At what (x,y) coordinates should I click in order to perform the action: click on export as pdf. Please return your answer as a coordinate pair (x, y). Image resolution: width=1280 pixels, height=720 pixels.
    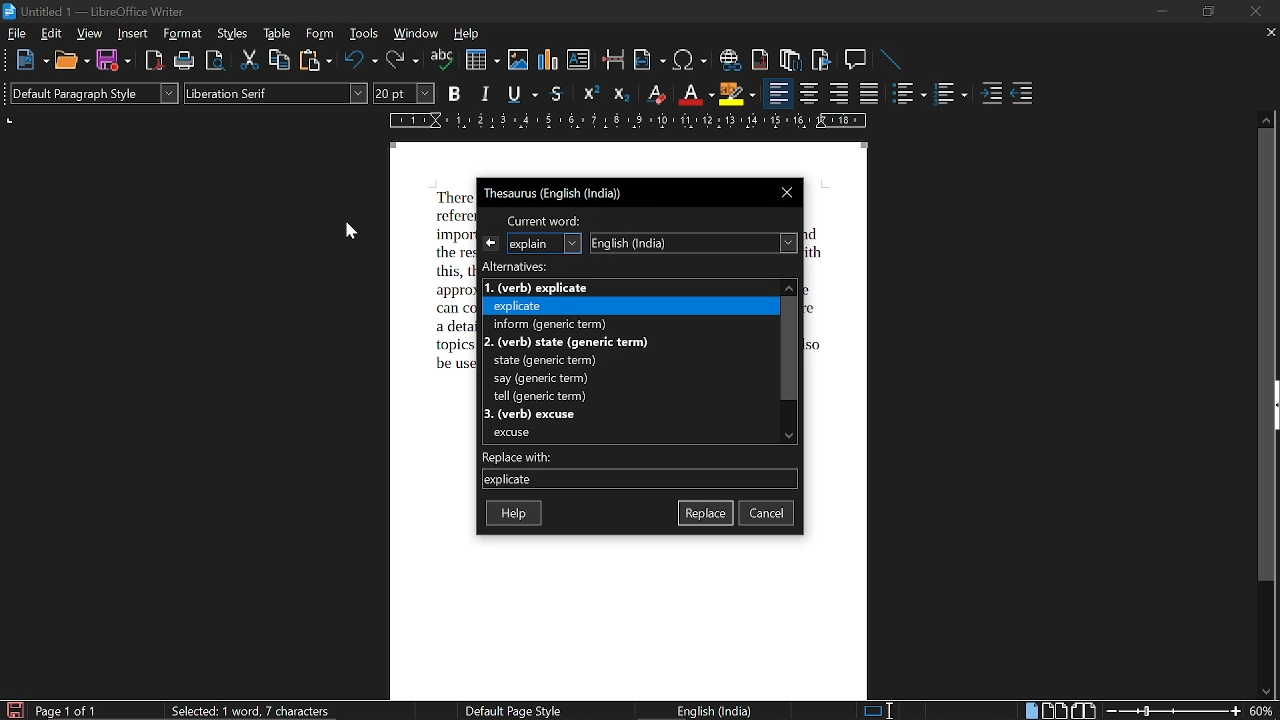
    Looking at the image, I should click on (156, 61).